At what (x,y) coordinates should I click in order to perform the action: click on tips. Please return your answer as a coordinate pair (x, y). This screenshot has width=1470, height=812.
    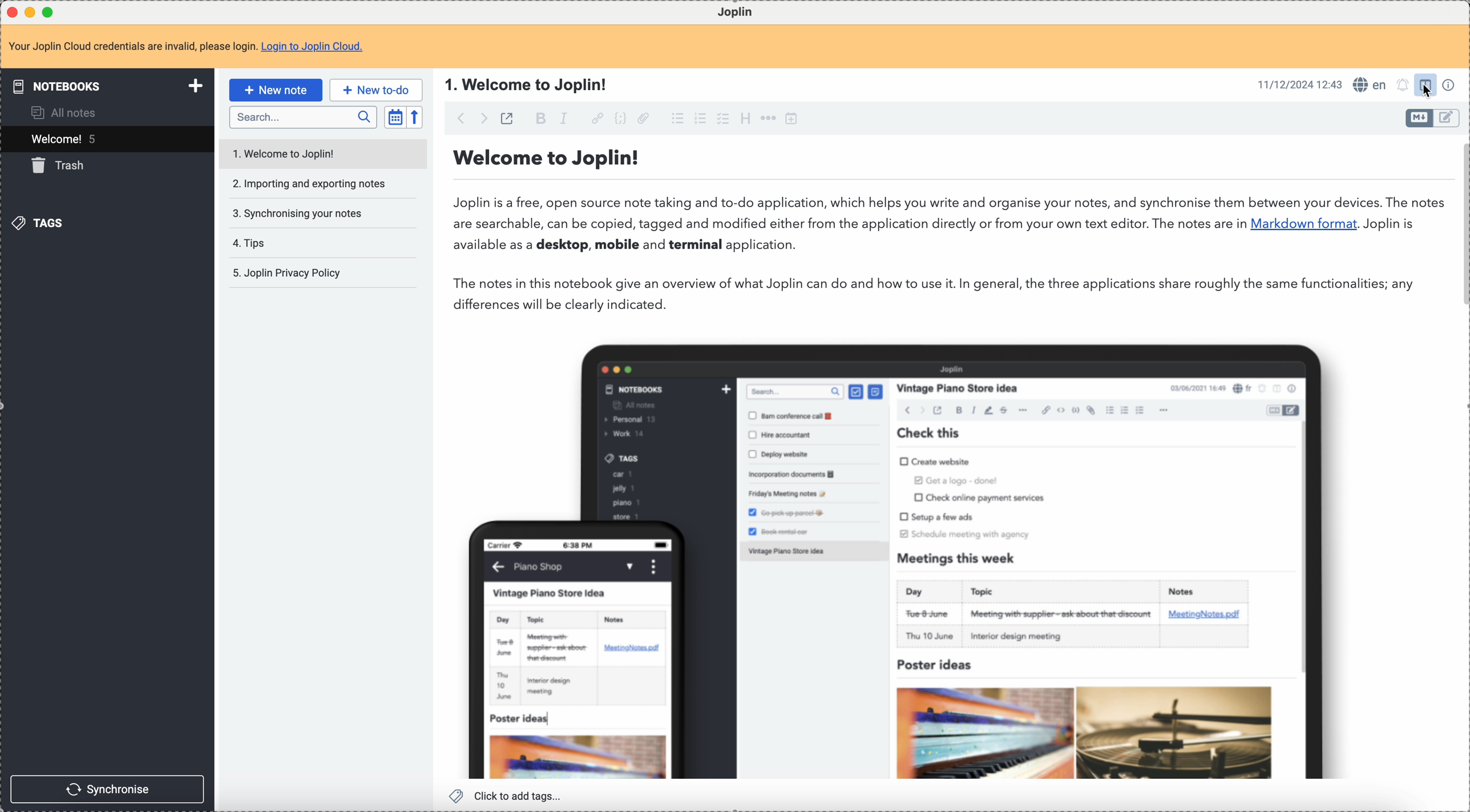
    Looking at the image, I should click on (250, 242).